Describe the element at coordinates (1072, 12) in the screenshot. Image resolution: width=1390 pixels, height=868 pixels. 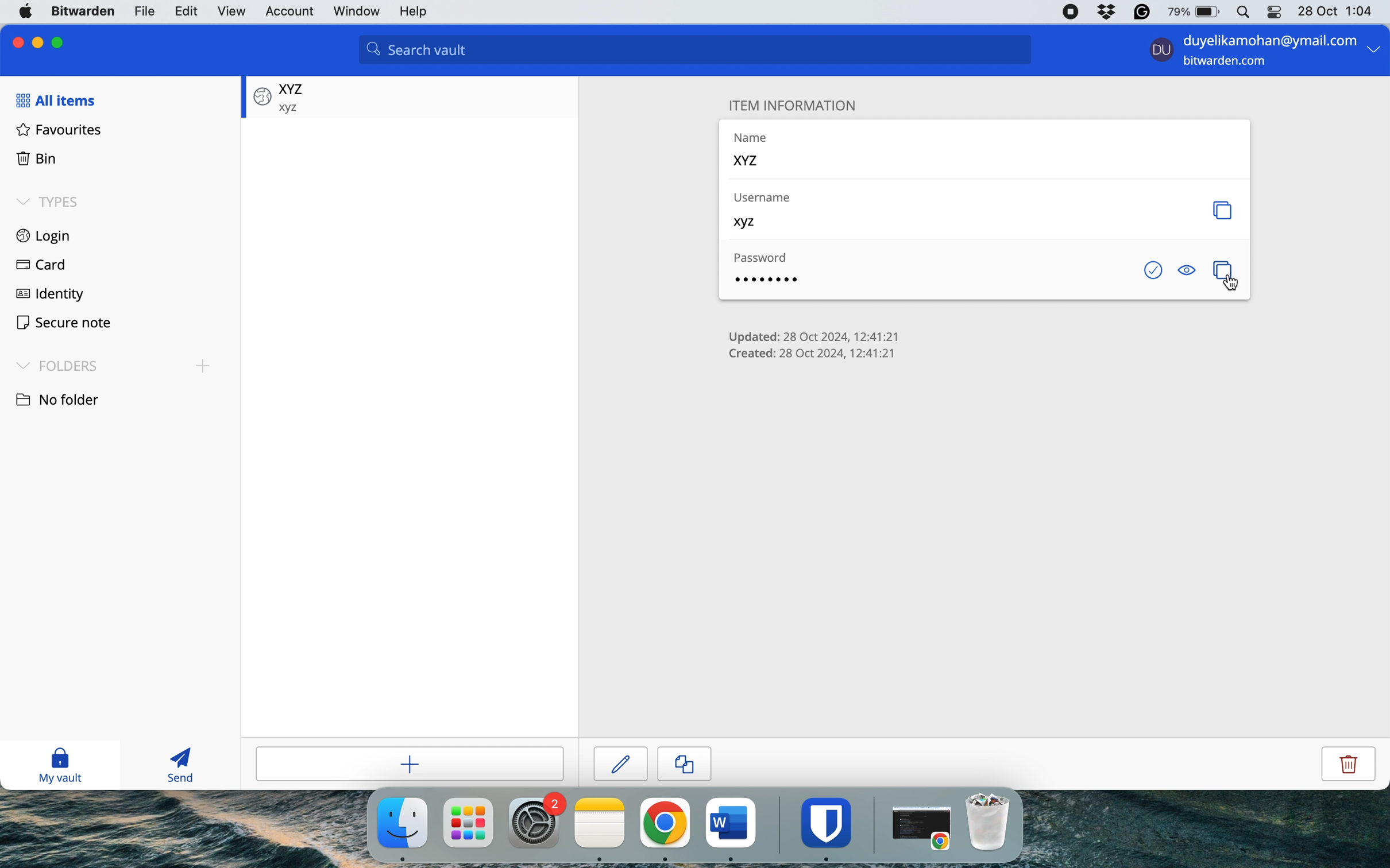
I see `screen recorder` at that location.